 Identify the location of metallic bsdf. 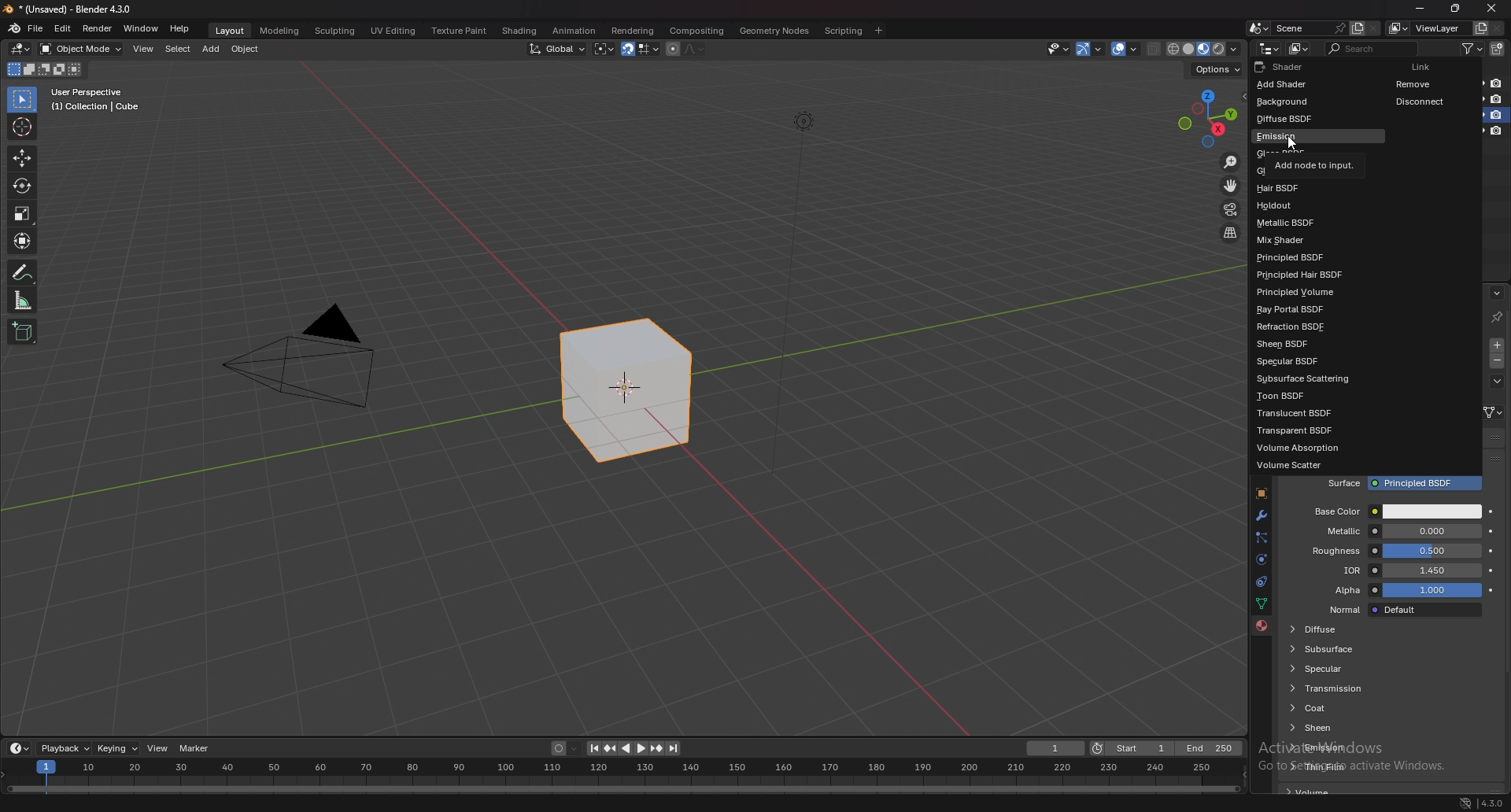
(1305, 223).